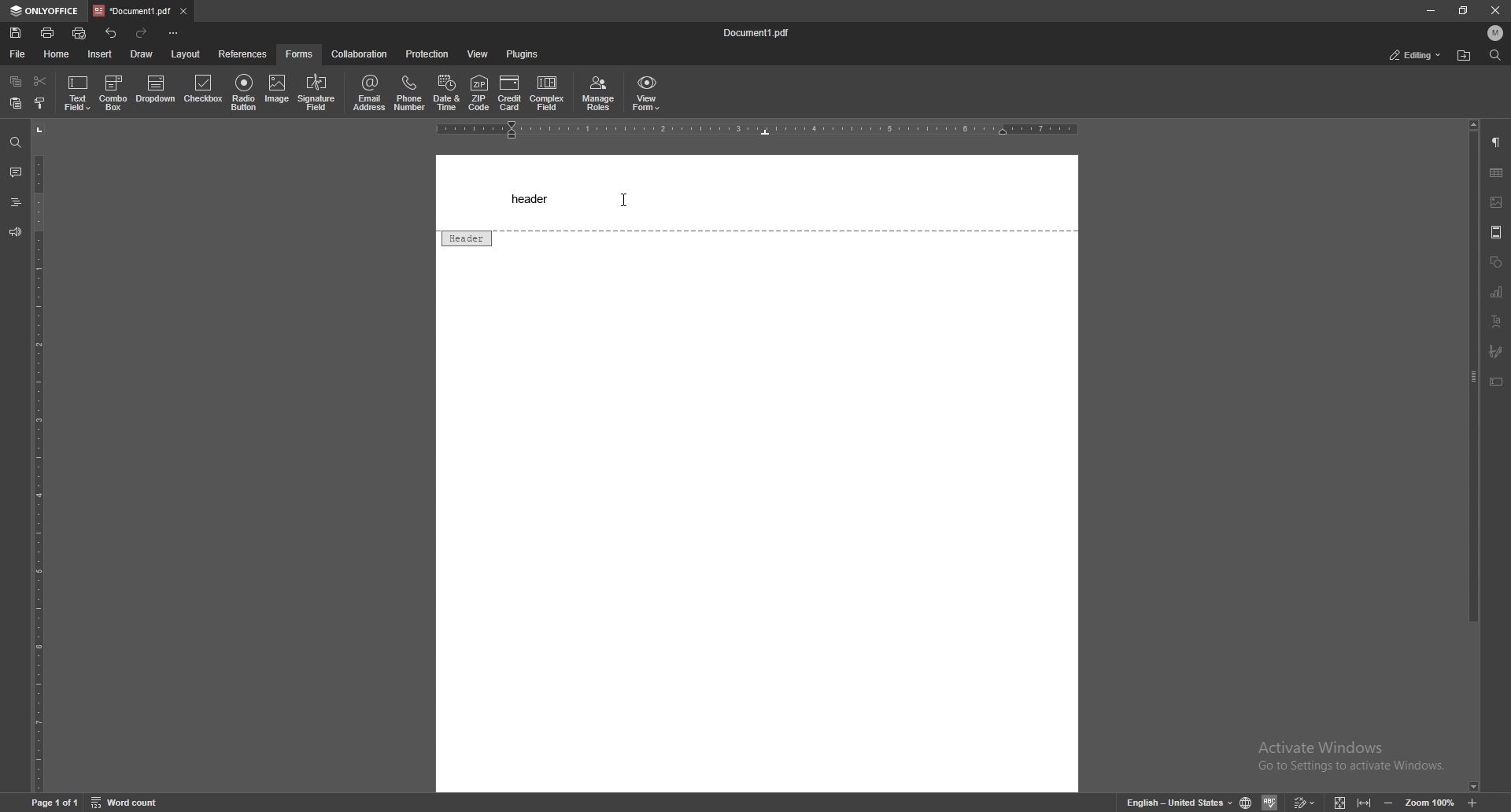 The height and width of the screenshot is (812, 1511). Describe the element at coordinates (1272, 800) in the screenshot. I see `spell check` at that location.